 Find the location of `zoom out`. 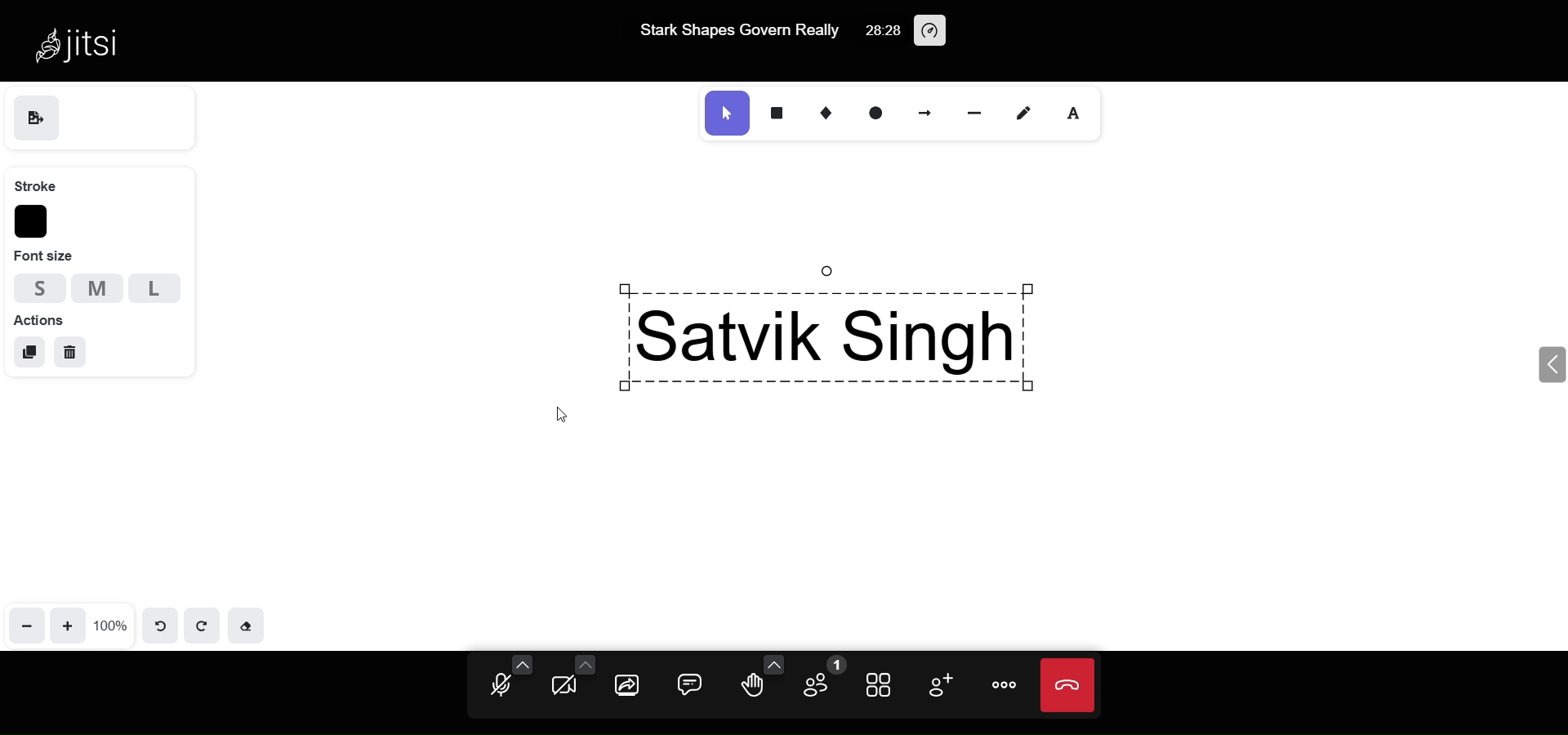

zoom out is located at coordinates (28, 625).